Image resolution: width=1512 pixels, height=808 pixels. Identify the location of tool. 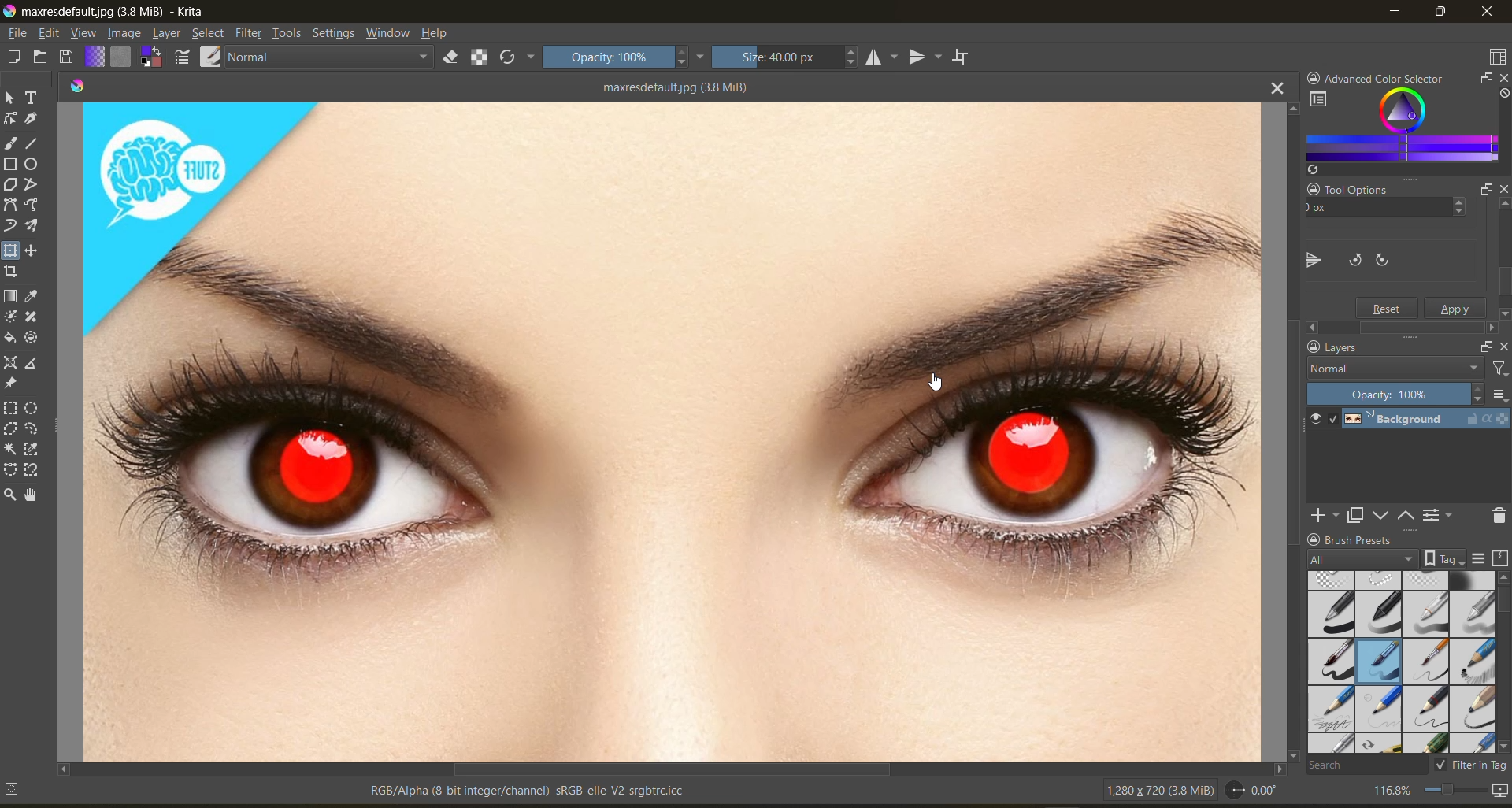
(9, 384).